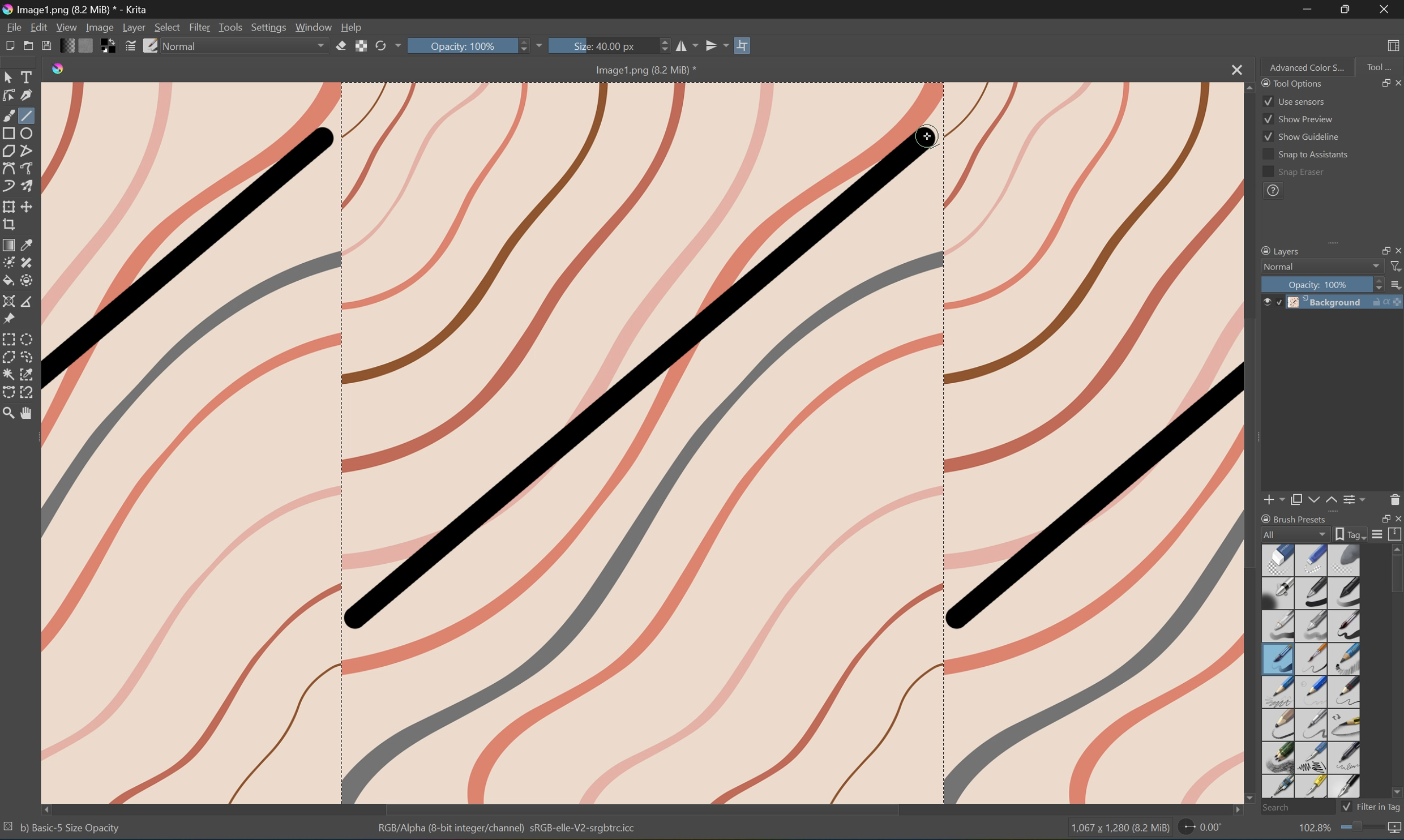  I want to click on Polyline tool, so click(27, 151).